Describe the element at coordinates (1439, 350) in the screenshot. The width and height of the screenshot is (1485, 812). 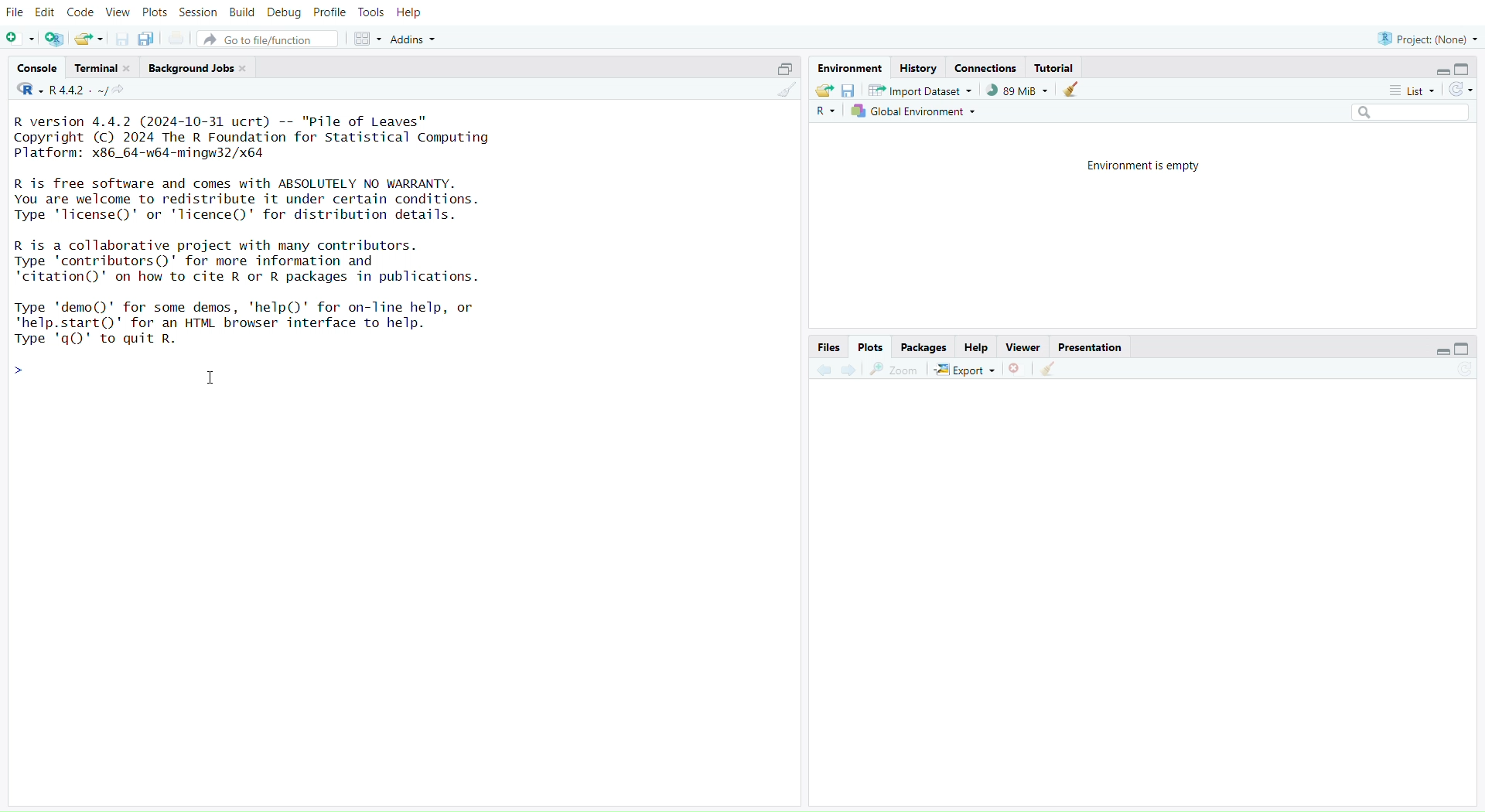
I see `Minimize` at that location.